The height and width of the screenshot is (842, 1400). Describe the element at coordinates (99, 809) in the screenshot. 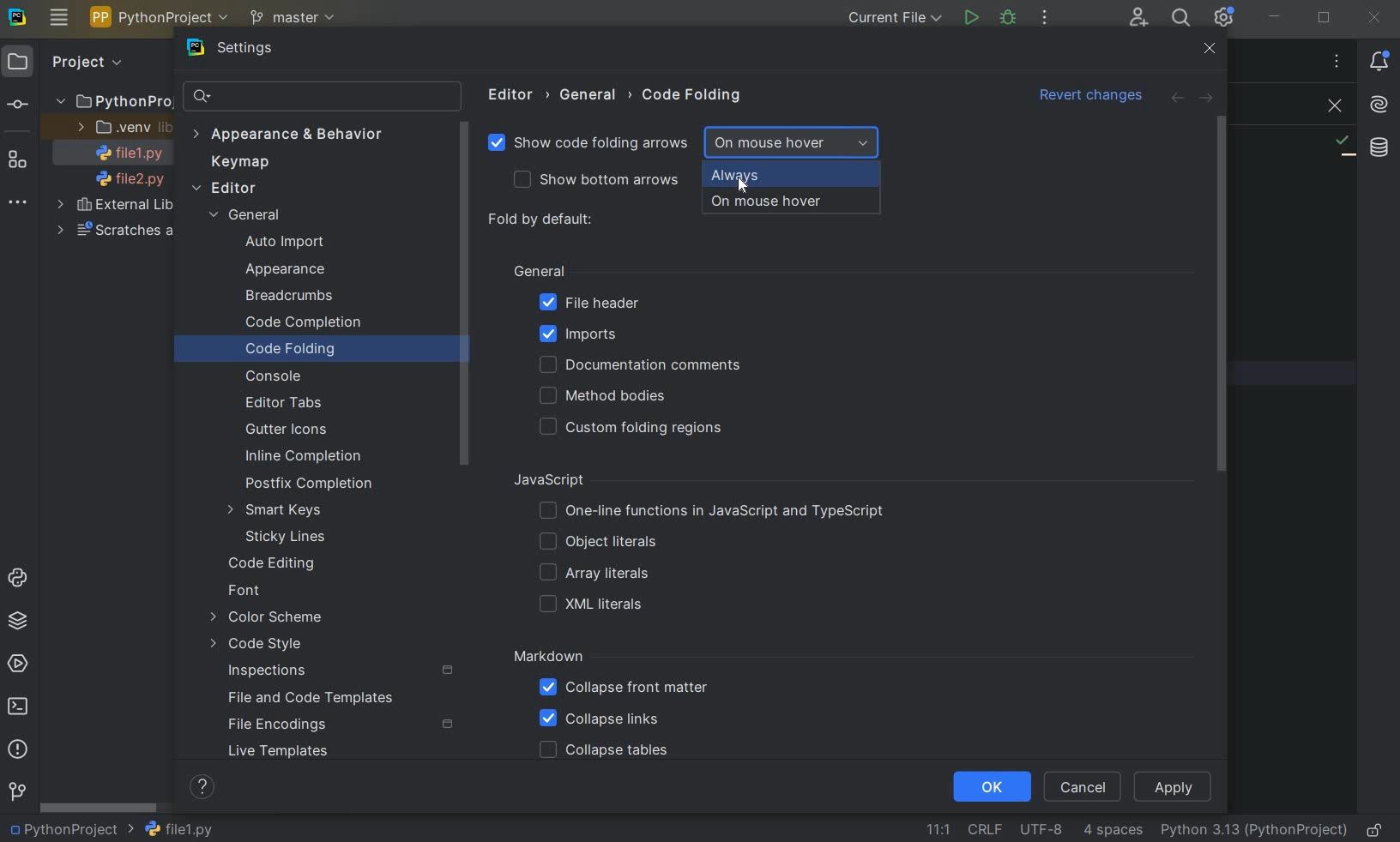

I see `SCROLLBAR` at that location.